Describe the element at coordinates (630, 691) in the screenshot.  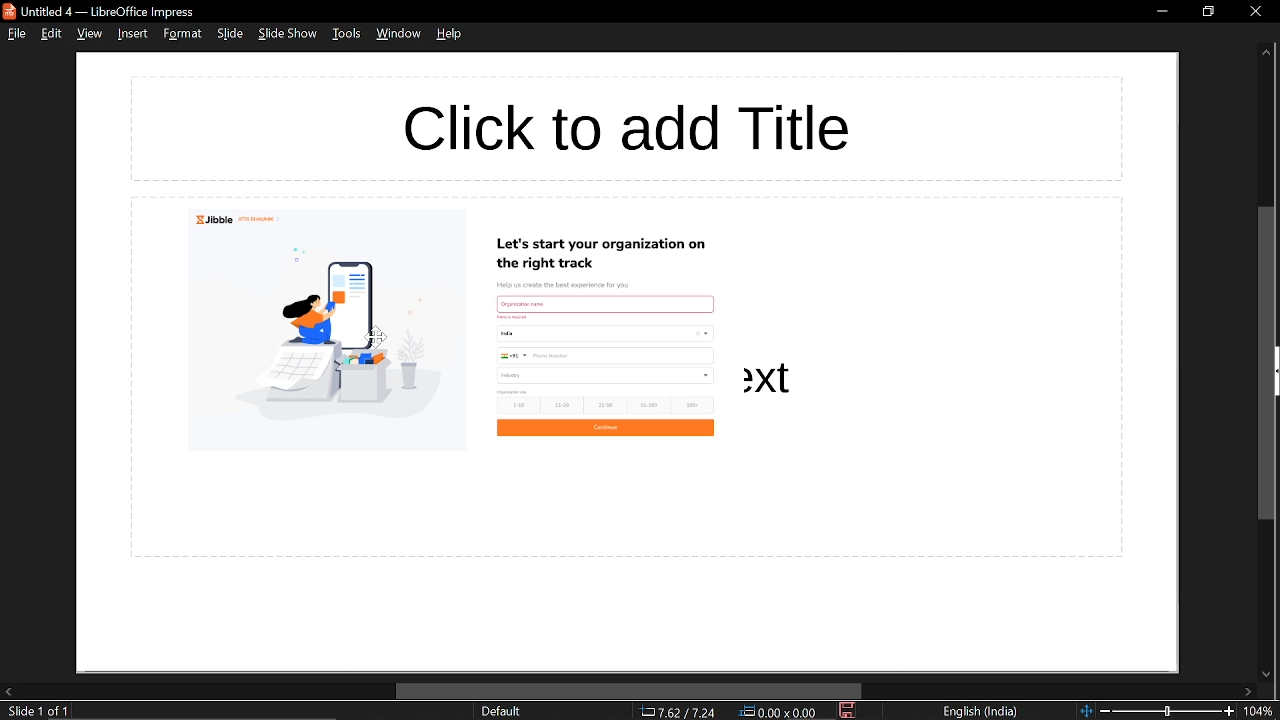
I see `horizontal scrollbar` at that location.